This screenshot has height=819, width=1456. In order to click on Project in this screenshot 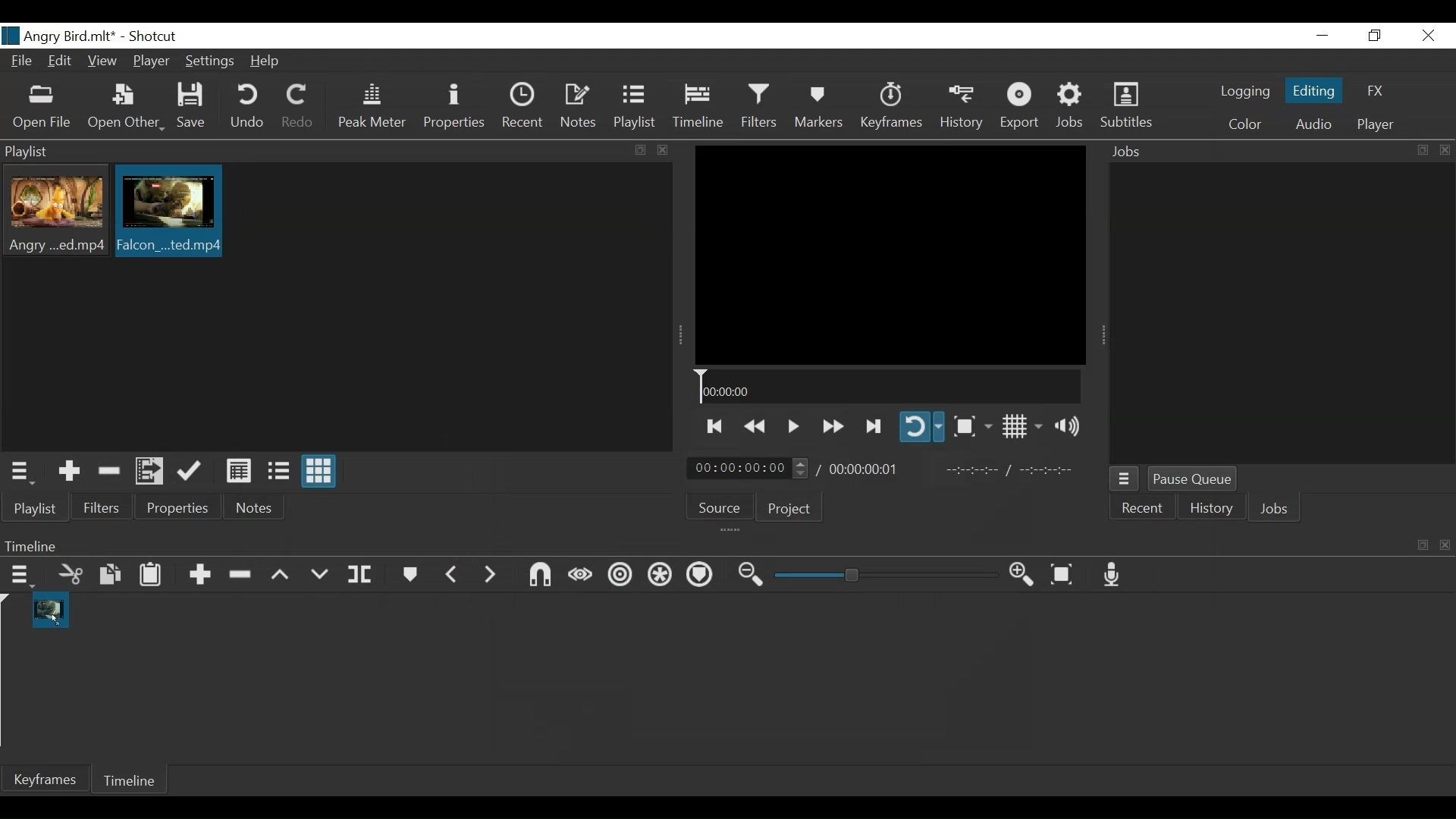, I will do `click(789, 508)`.